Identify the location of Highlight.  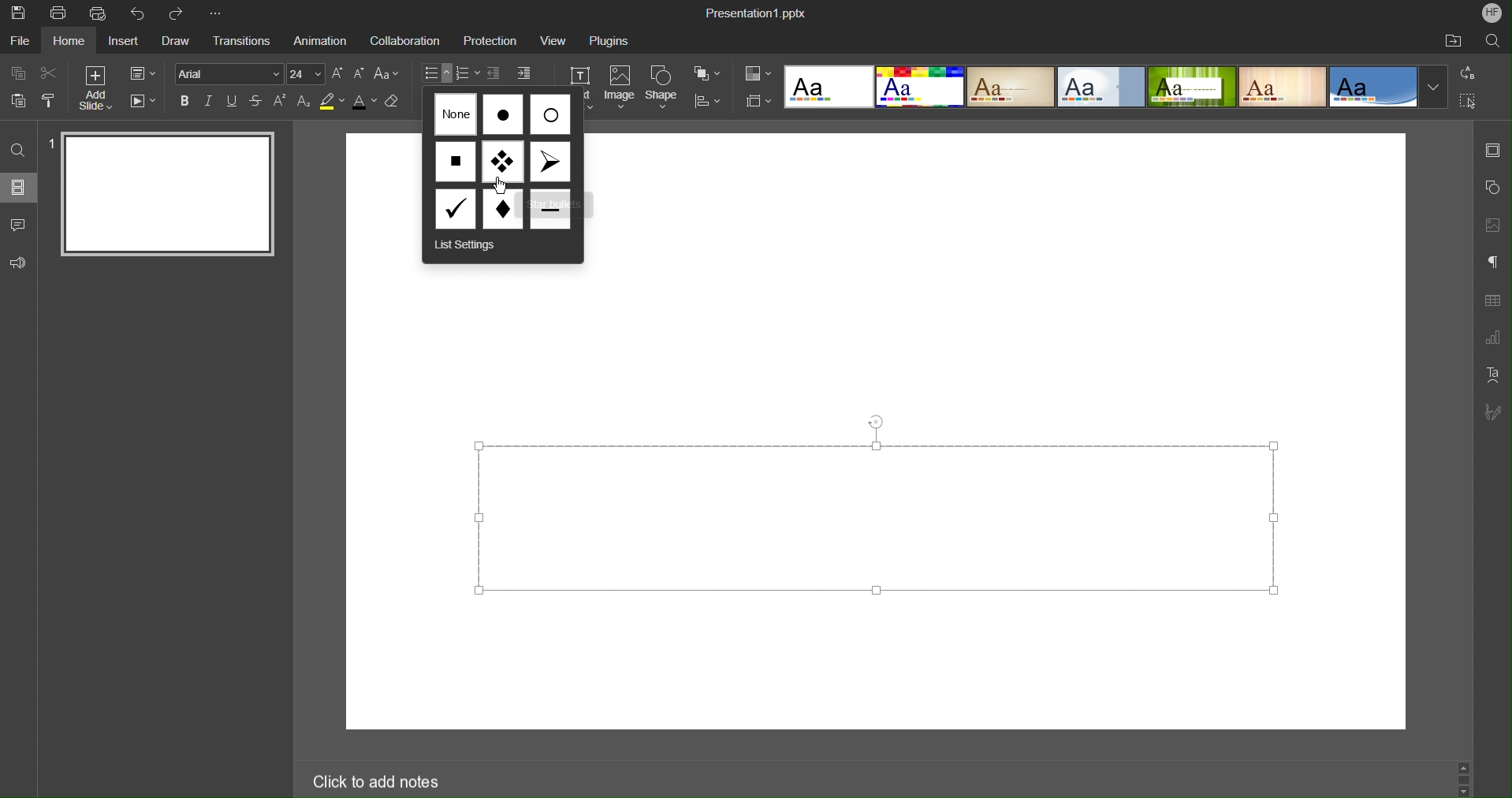
(330, 103).